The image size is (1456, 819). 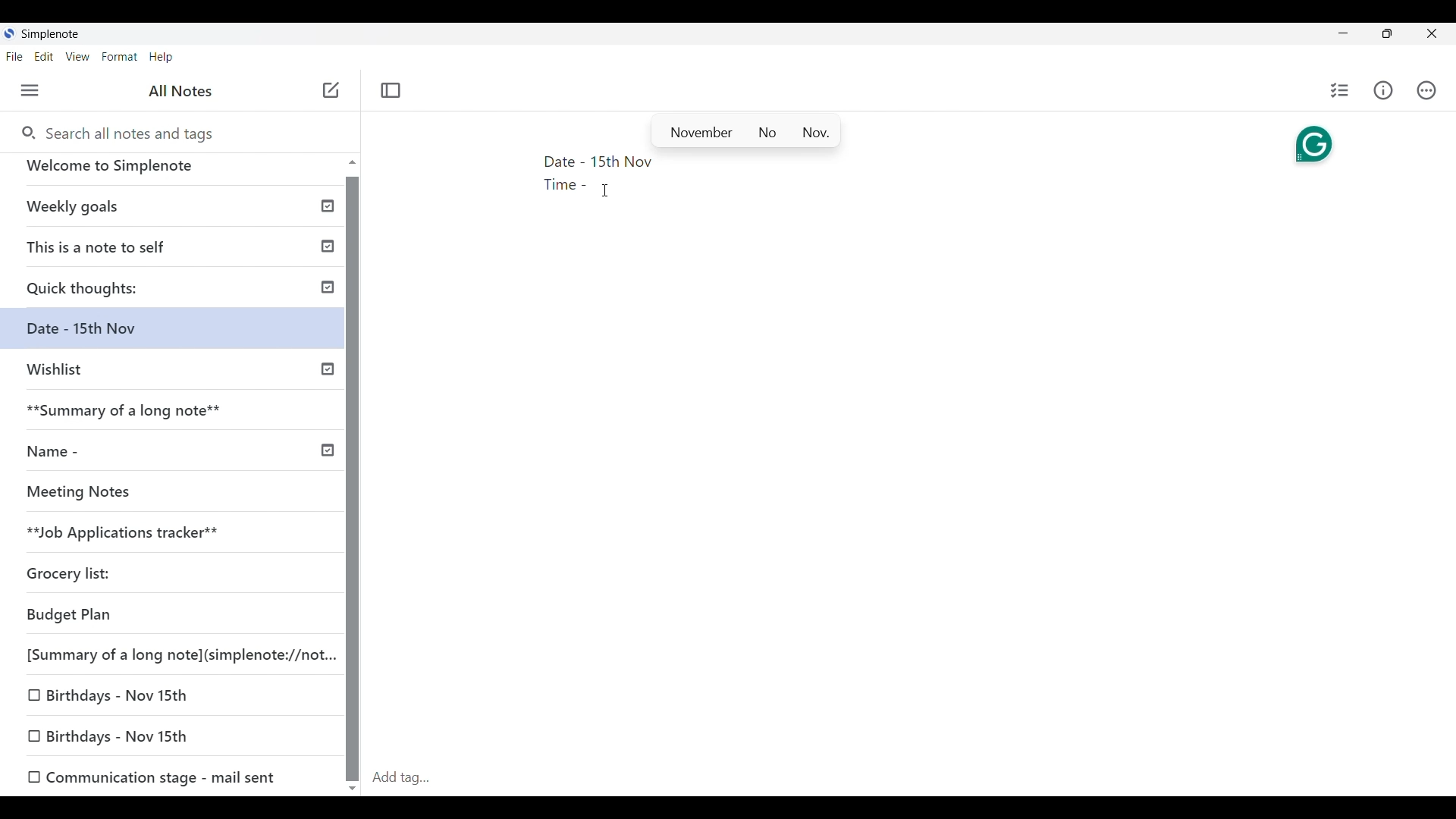 I want to click on File menu, so click(x=14, y=56).